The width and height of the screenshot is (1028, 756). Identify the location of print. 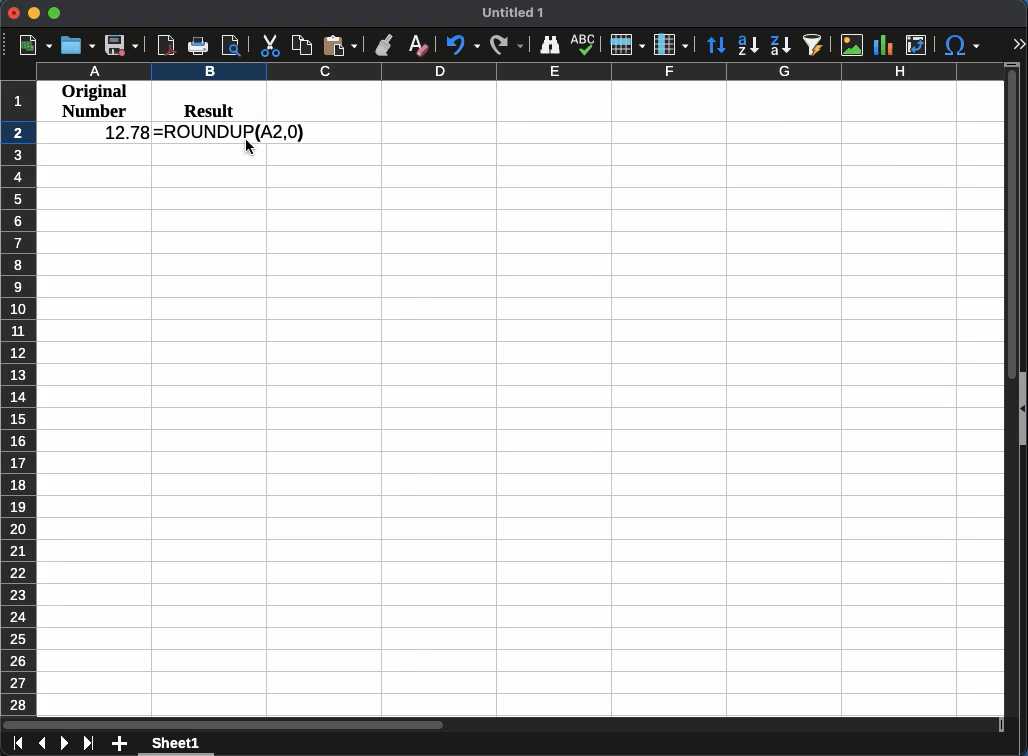
(200, 45).